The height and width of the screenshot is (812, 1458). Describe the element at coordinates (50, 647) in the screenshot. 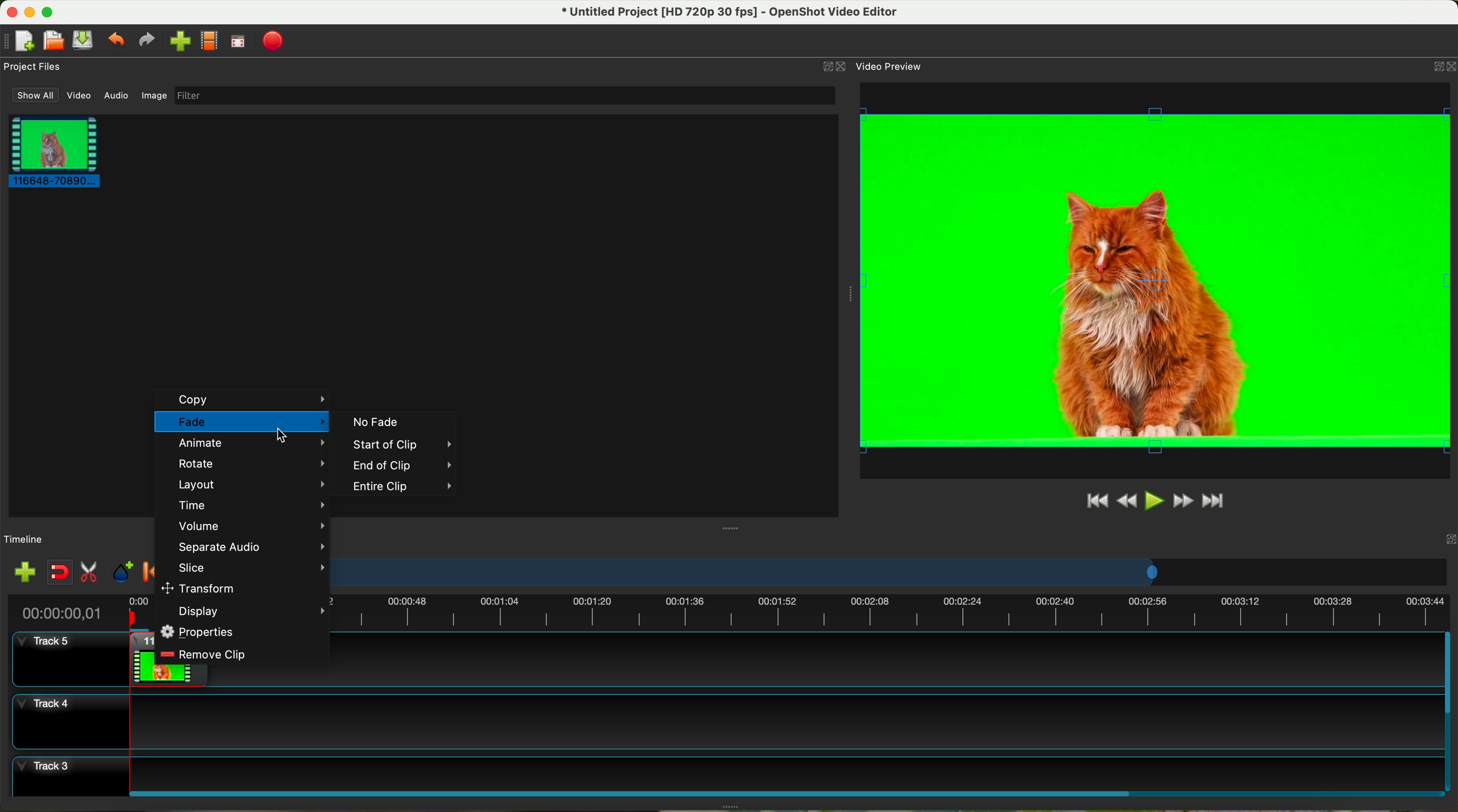

I see `track 5` at that location.